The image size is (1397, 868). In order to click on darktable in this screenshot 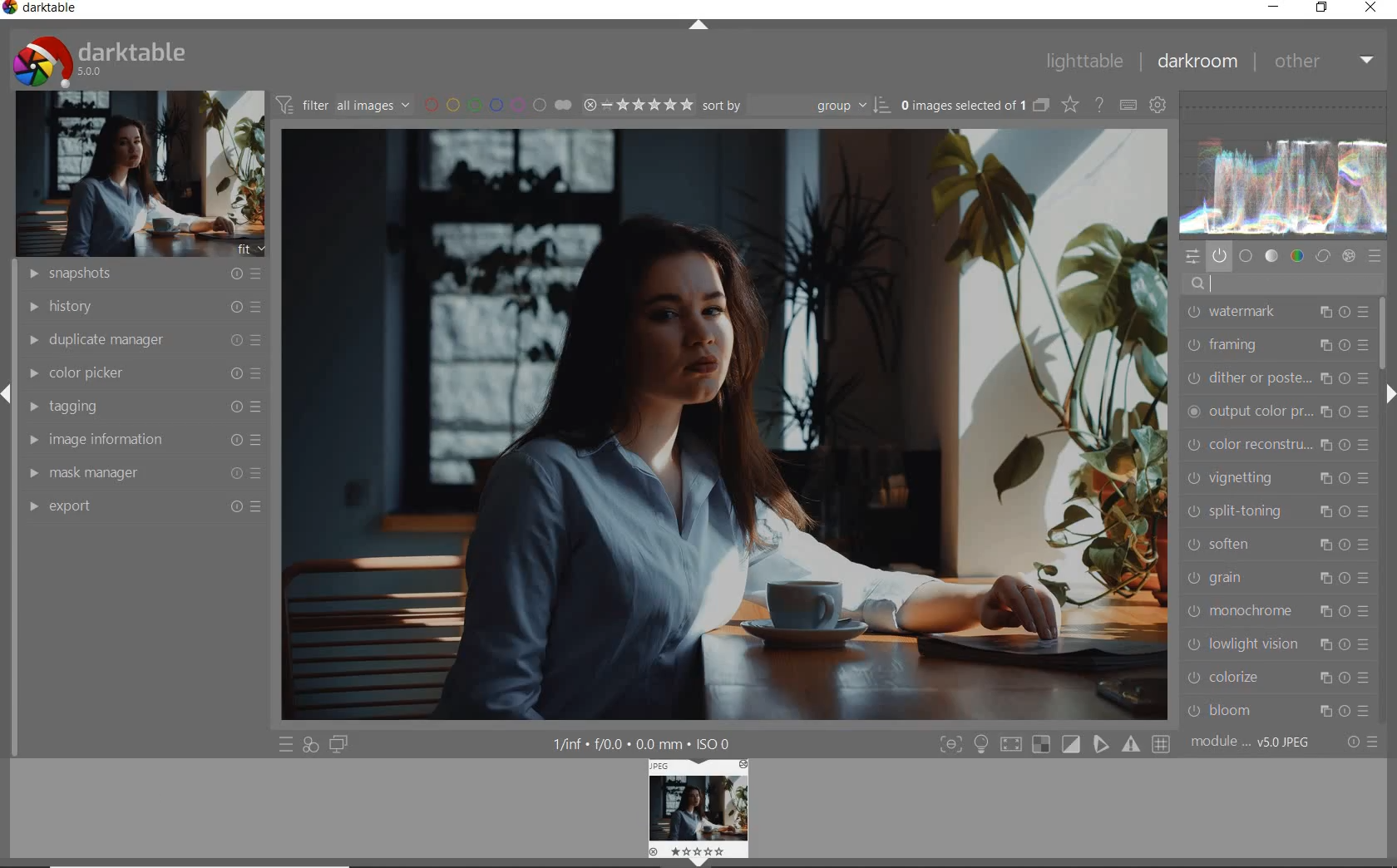, I will do `click(129, 60)`.